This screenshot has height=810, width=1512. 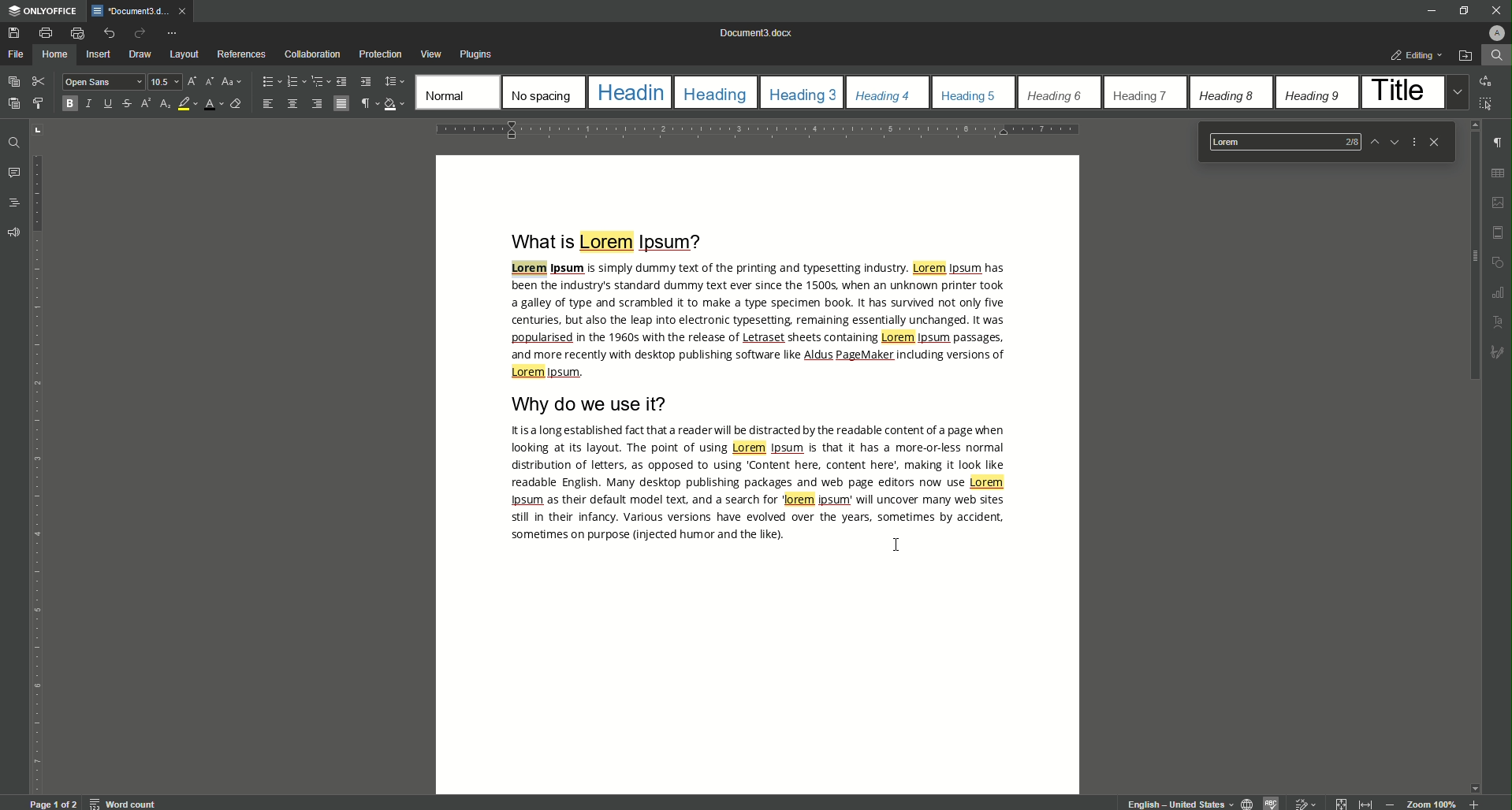 What do you see at coordinates (101, 55) in the screenshot?
I see `Insert` at bounding box center [101, 55].